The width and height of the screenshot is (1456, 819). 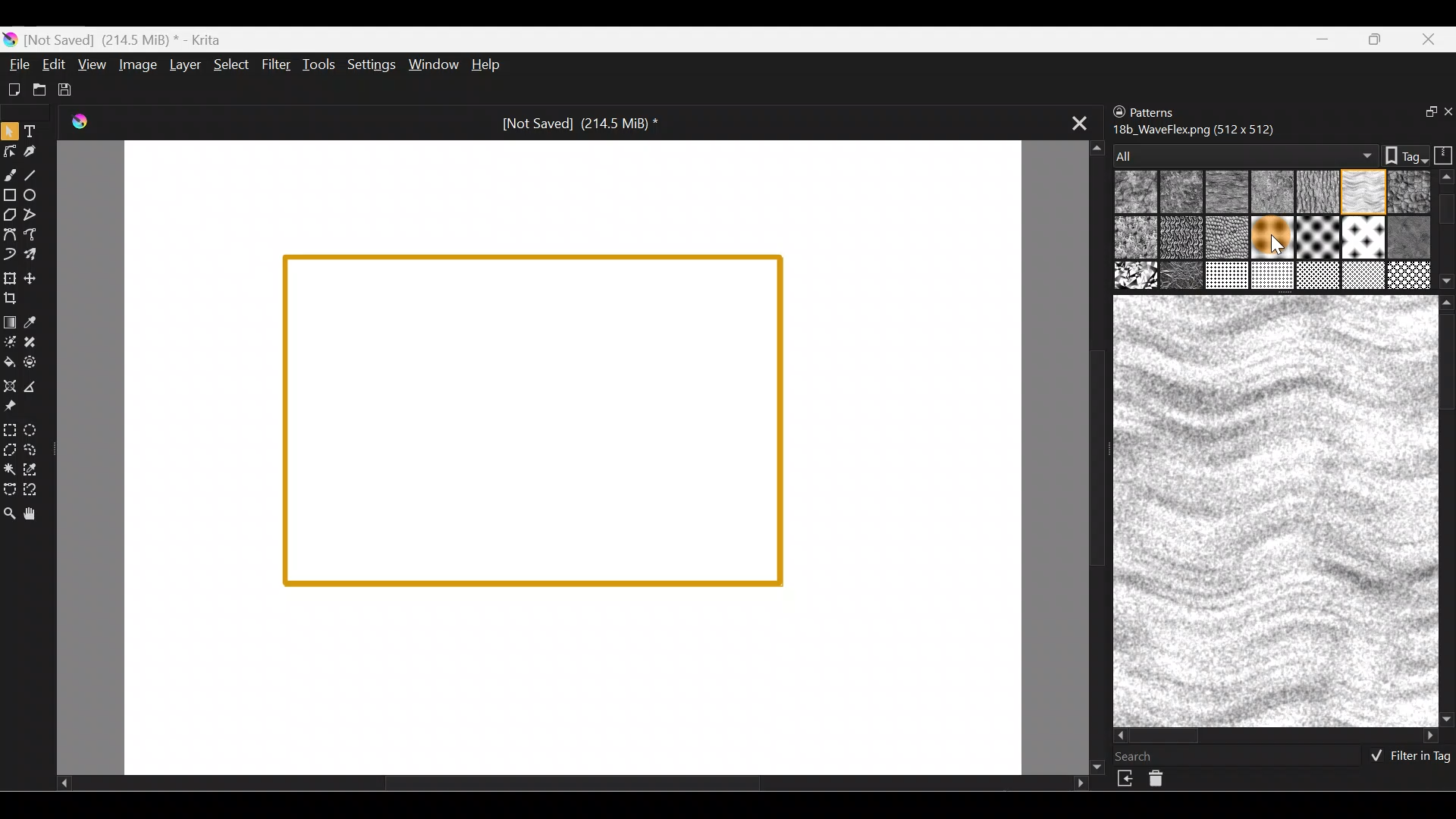 I want to click on Multibrush tool, so click(x=36, y=256).